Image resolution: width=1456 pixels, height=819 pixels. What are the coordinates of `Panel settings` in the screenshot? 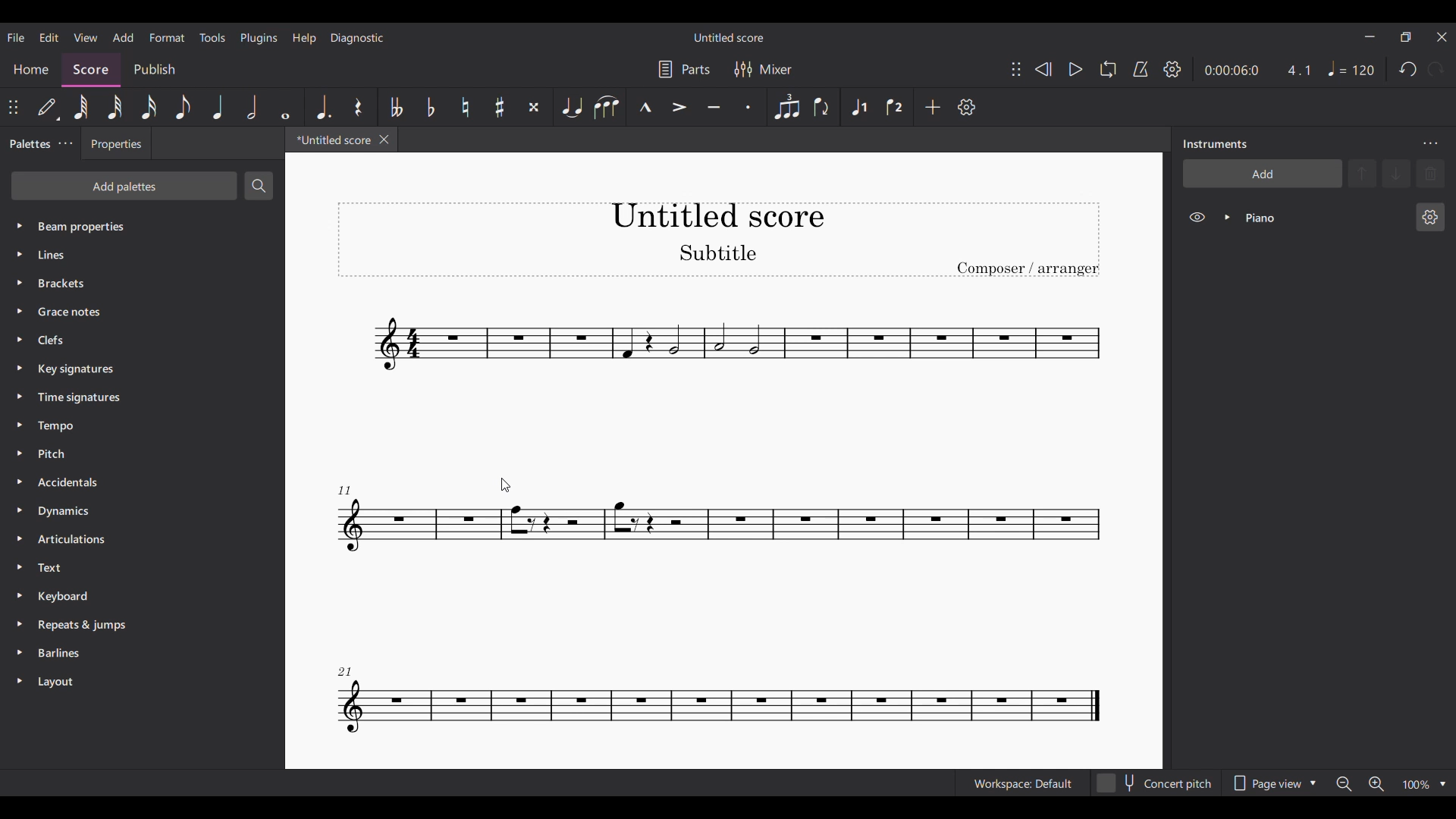 It's located at (1430, 144).